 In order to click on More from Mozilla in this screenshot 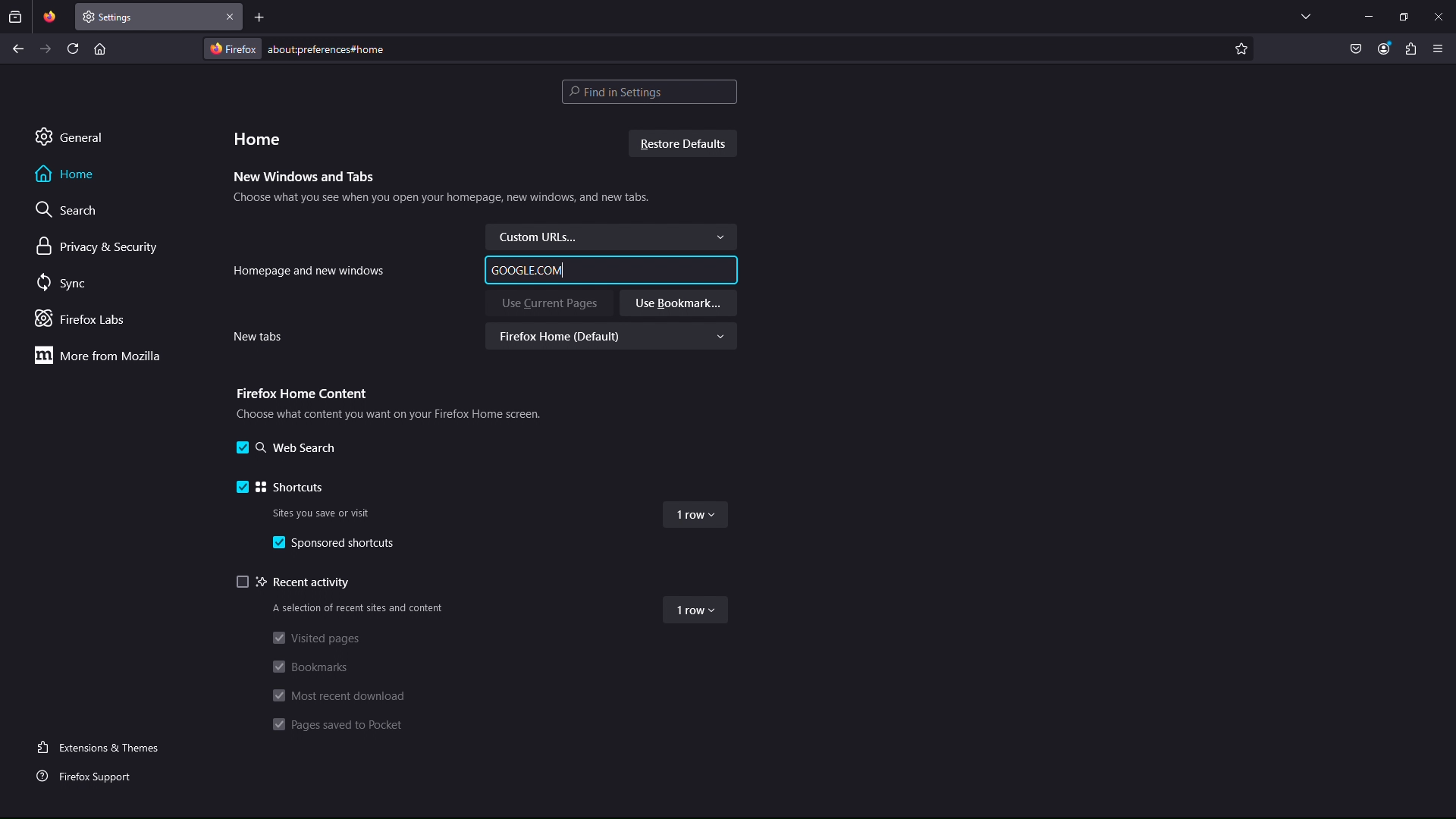, I will do `click(96, 355)`.